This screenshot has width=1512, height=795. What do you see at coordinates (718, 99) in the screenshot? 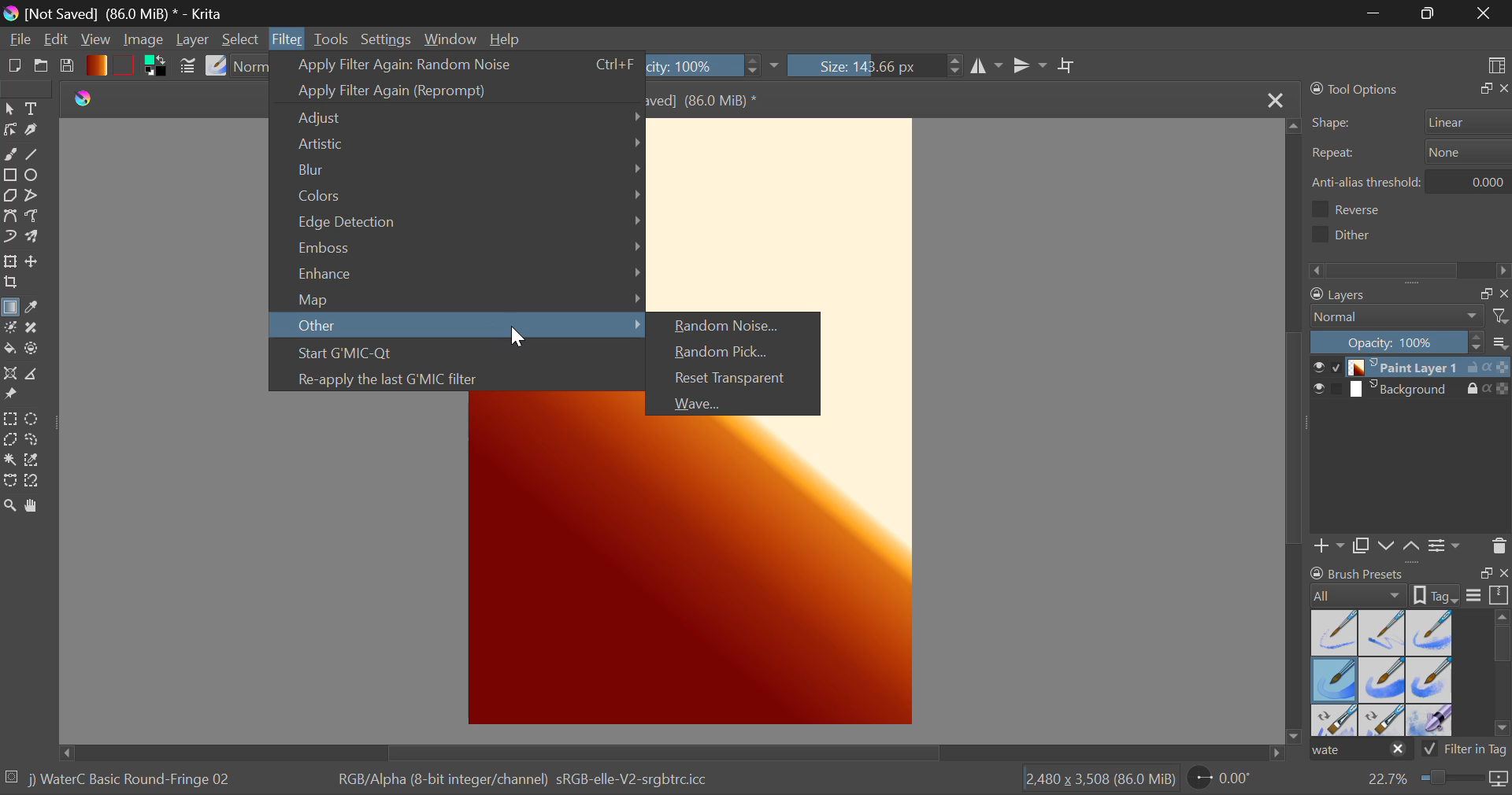
I see `[not saved] (86.0 Mib)*` at bounding box center [718, 99].